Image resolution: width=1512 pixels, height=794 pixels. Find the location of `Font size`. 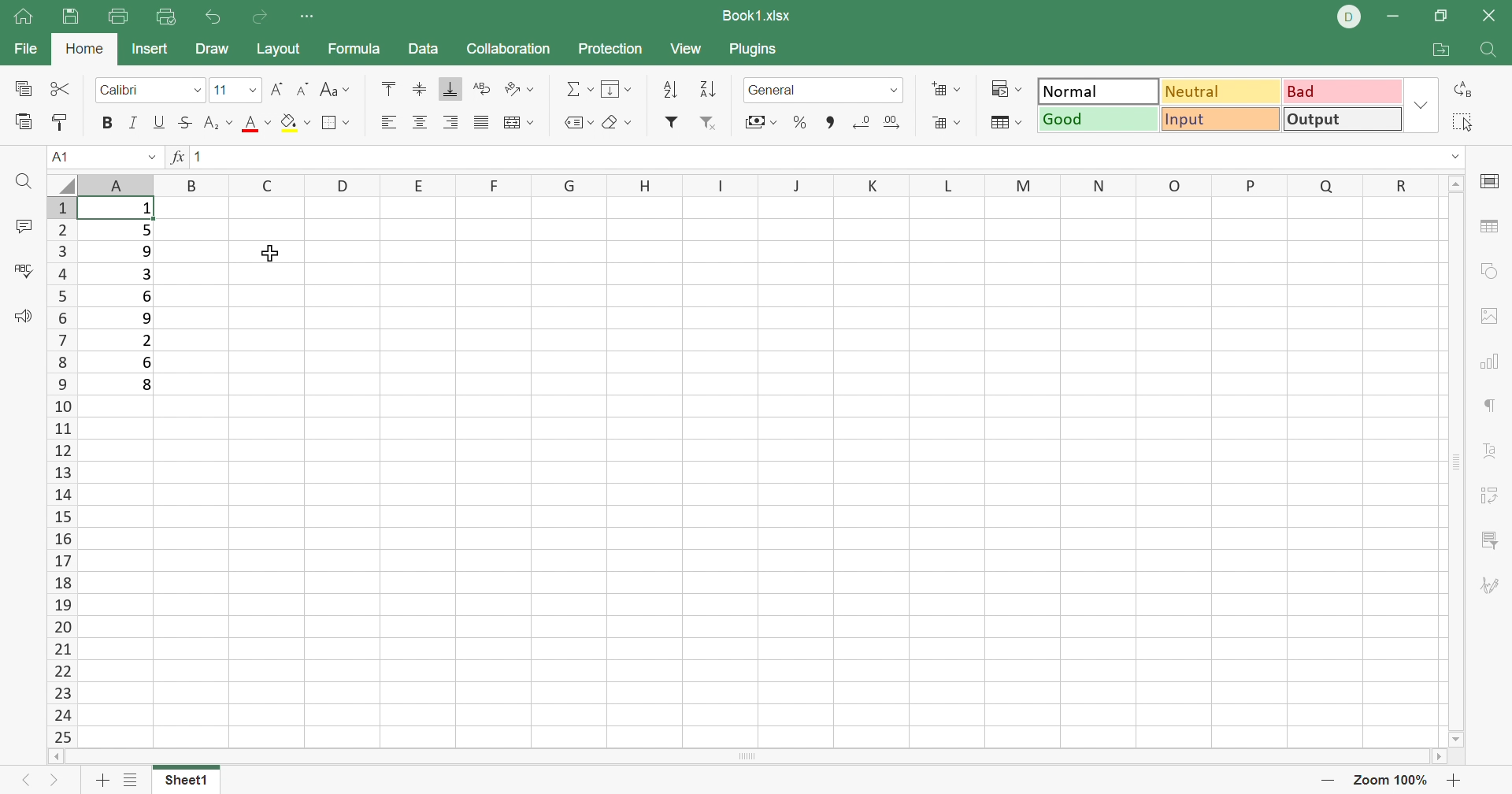

Font size is located at coordinates (235, 88).